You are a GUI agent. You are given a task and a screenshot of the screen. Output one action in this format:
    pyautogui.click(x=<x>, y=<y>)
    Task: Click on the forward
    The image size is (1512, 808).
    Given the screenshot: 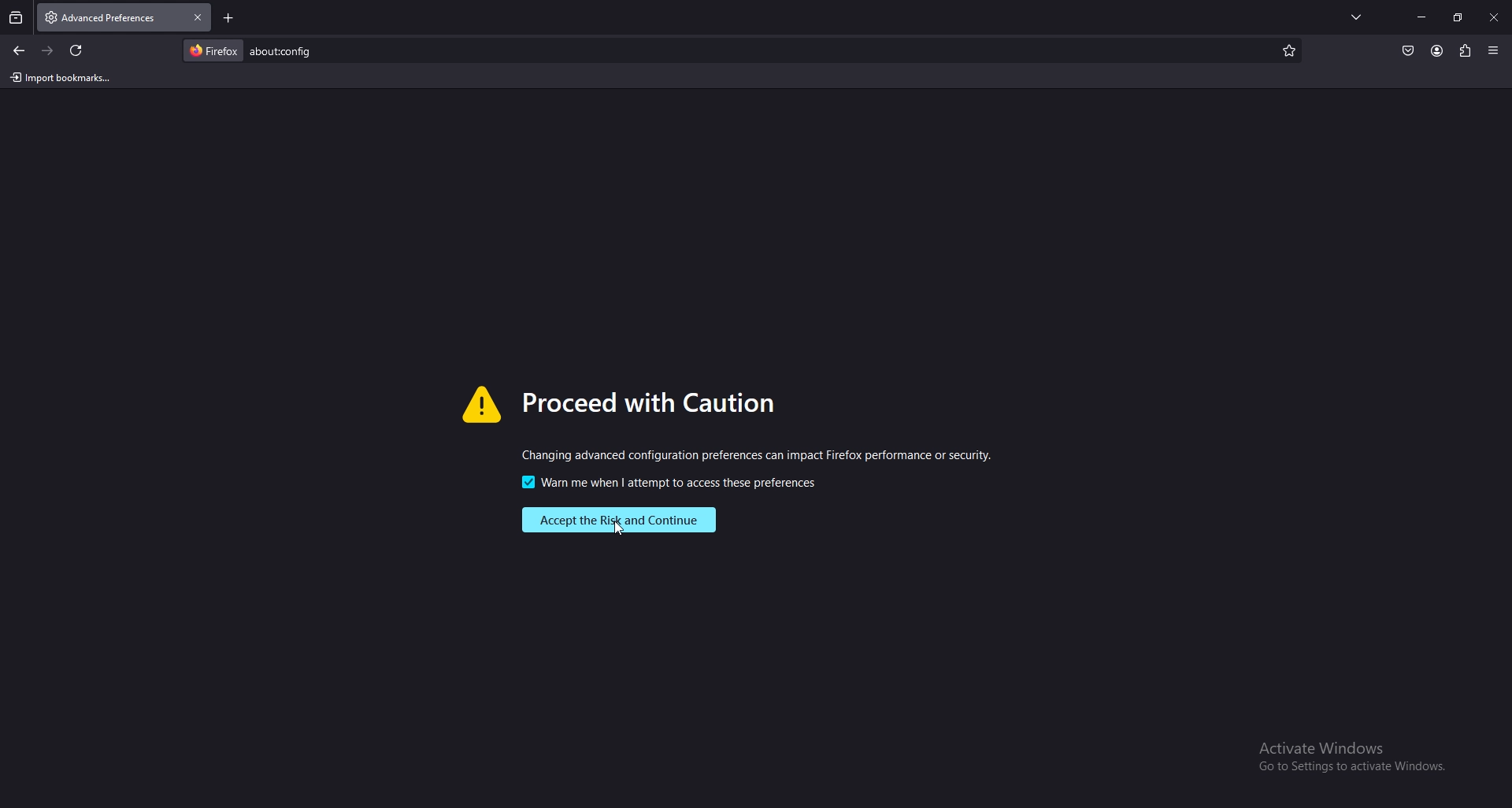 What is the action you would take?
    pyautogui.click(x=48, y=50)
    